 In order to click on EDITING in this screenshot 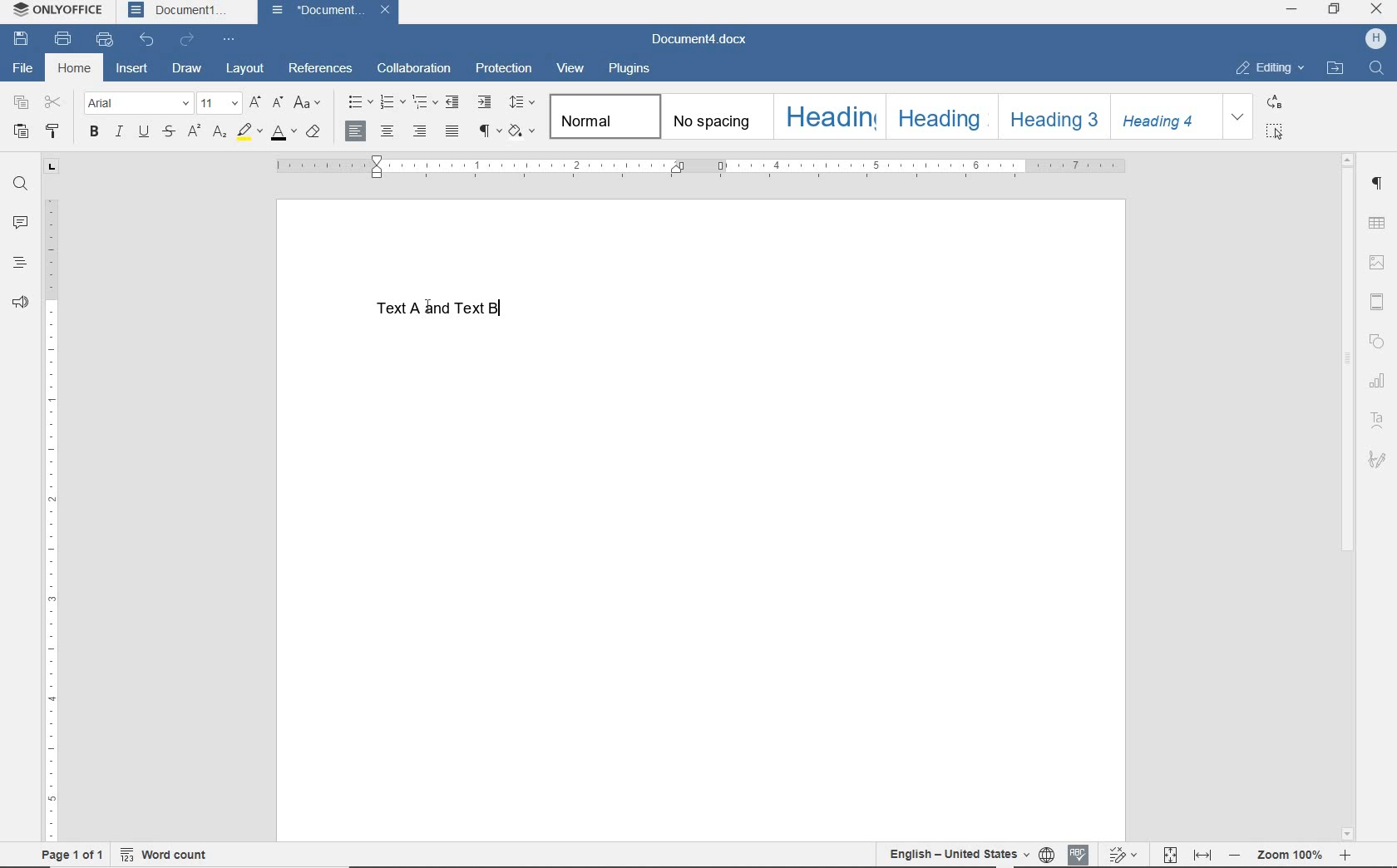, I will do `click(1270, 69)`.